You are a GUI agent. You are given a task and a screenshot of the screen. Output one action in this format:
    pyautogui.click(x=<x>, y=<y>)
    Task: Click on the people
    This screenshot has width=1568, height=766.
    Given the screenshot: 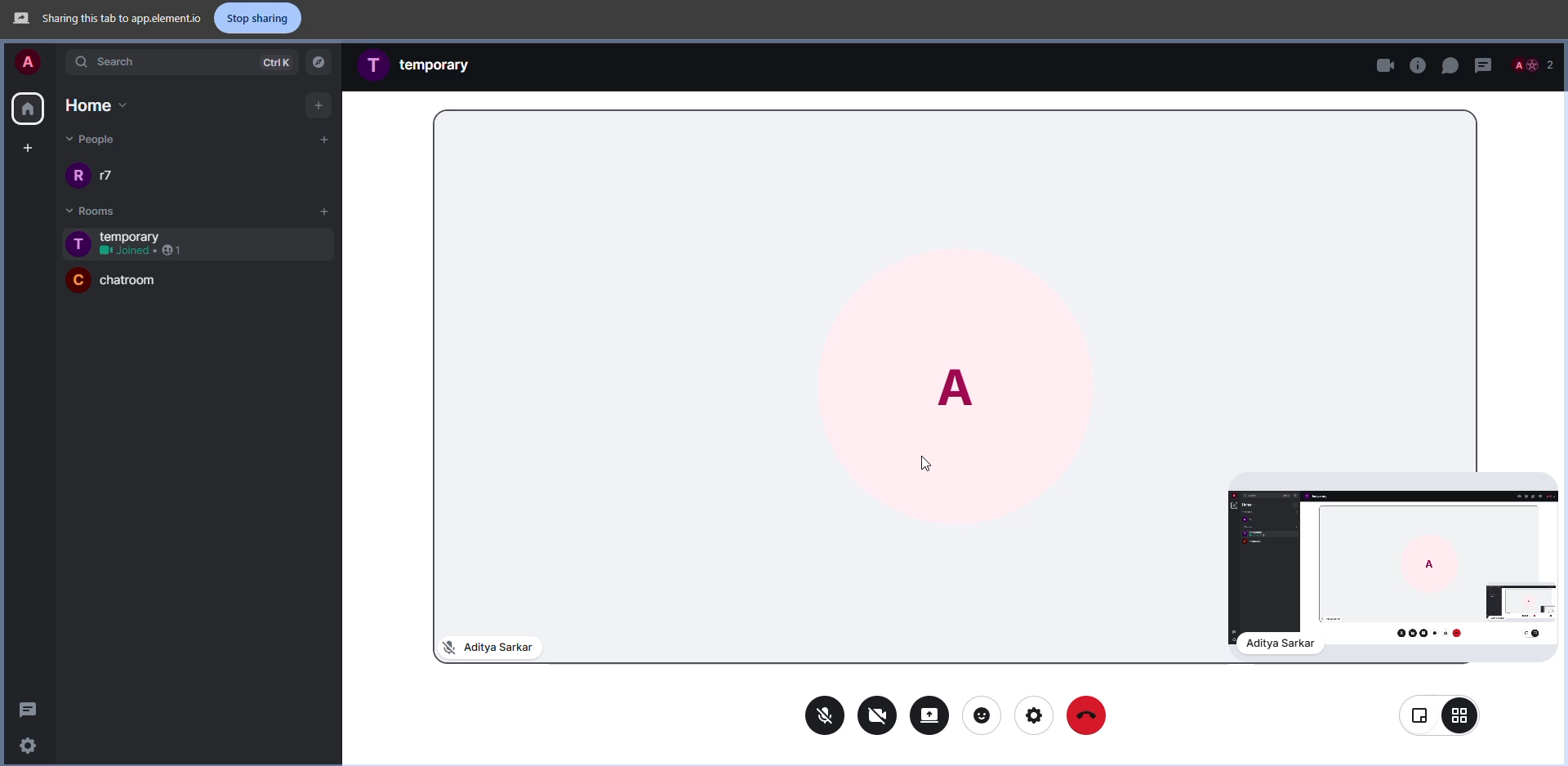 What is the action you would take?
    pyautogui.click(x=107, y=171)
    